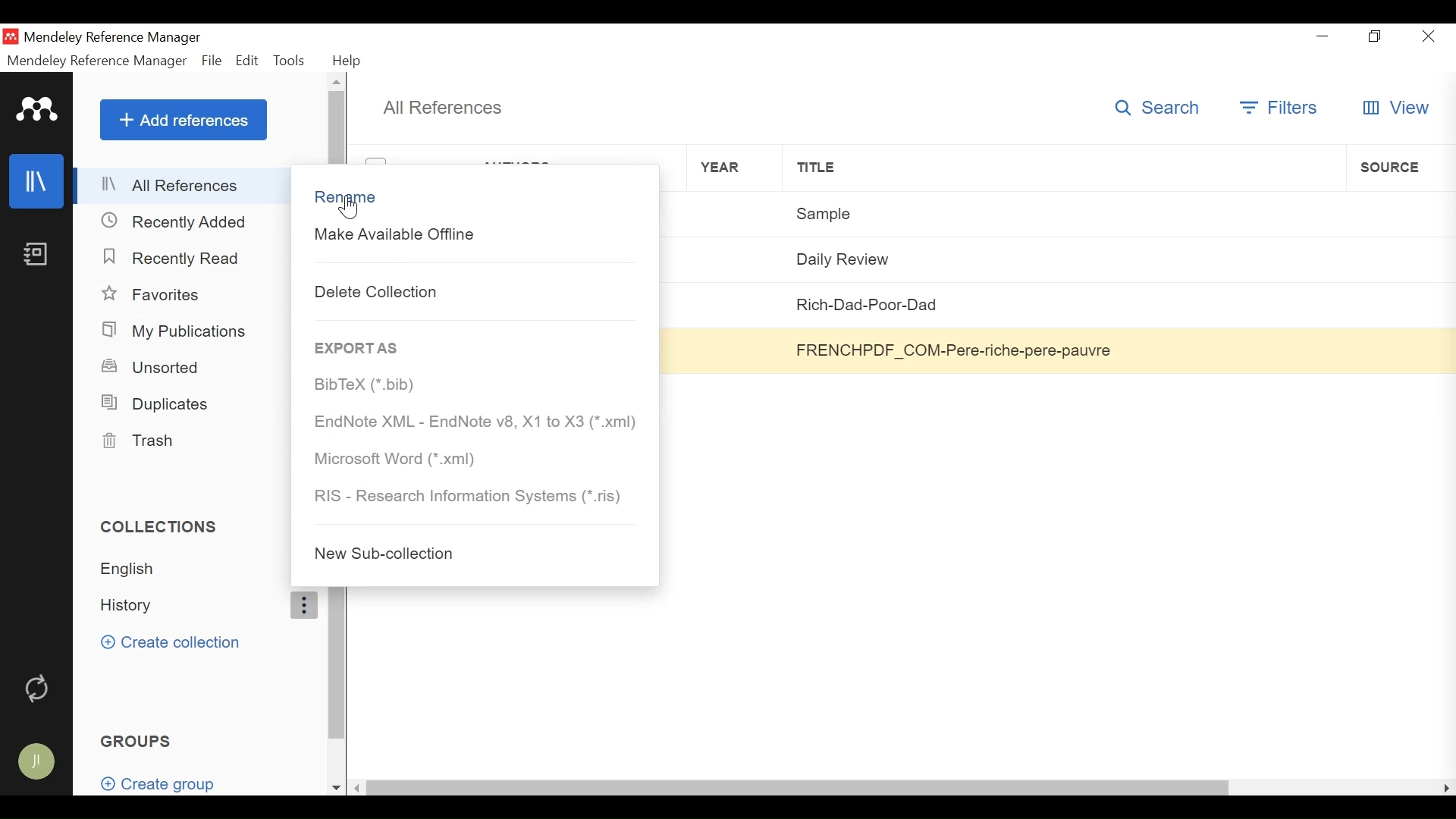 The width and height of the screenshot is (1456, 819). Describe the element at coordinates (113, 39) in the screenshot. I see `Mendeley Reference Manager` at that location.